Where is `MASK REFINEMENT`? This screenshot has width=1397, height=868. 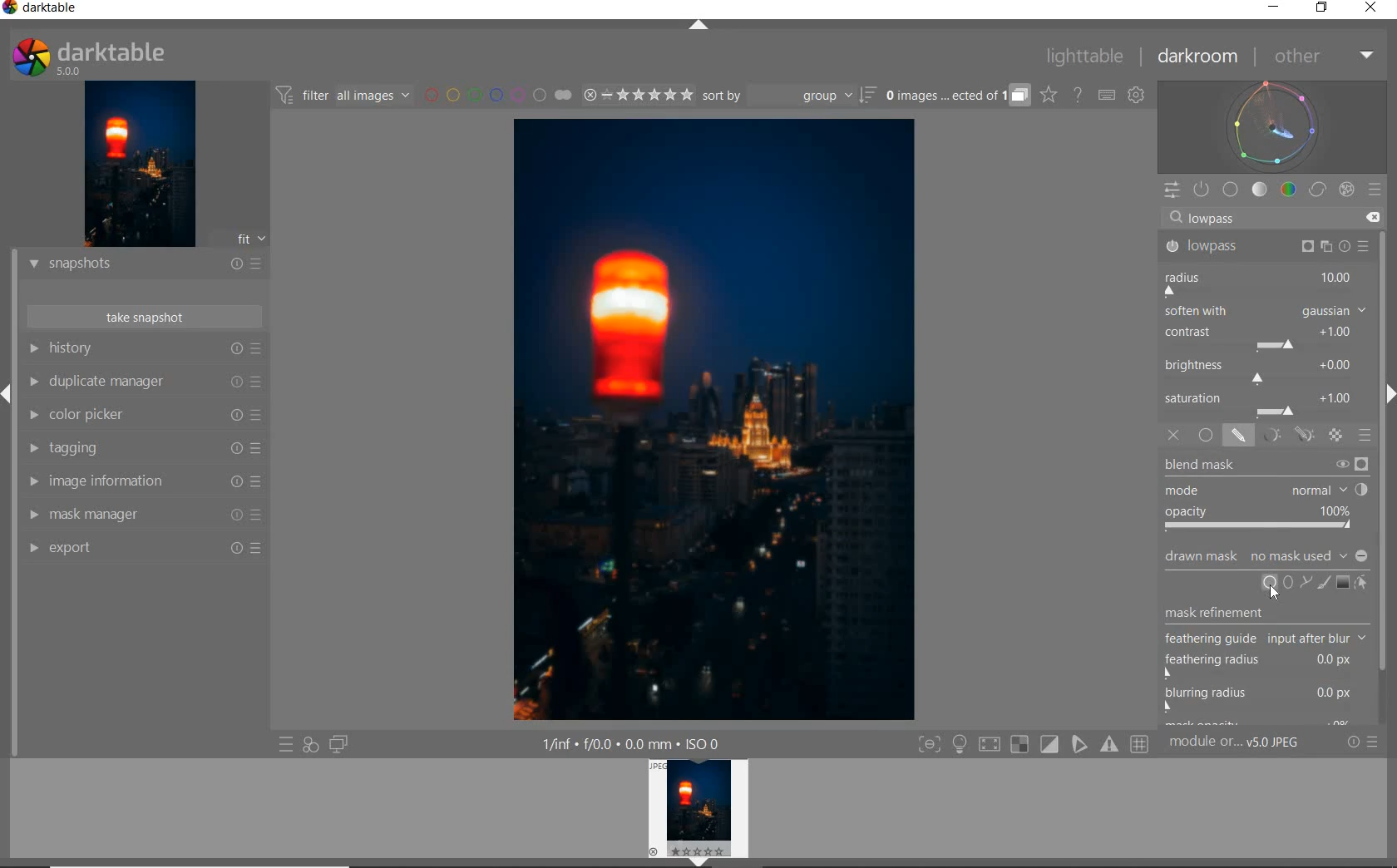 MASK REFINEMENT is located at coordinates (1270, 663).